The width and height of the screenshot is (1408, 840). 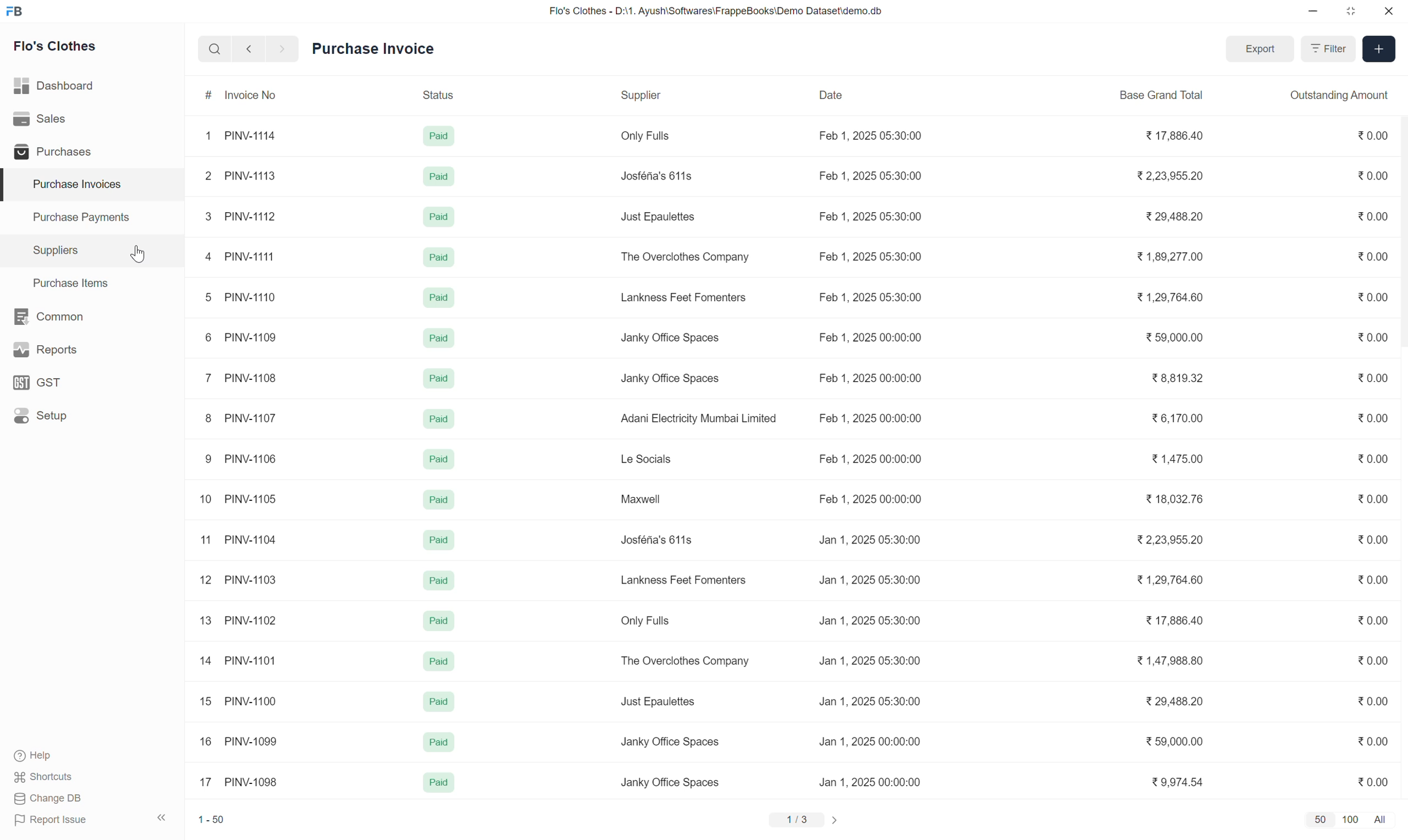 What do you see at coordinates (371, 48) in the screenshot?
I see `Purchase Invoice` at bounding box center [371, 48].